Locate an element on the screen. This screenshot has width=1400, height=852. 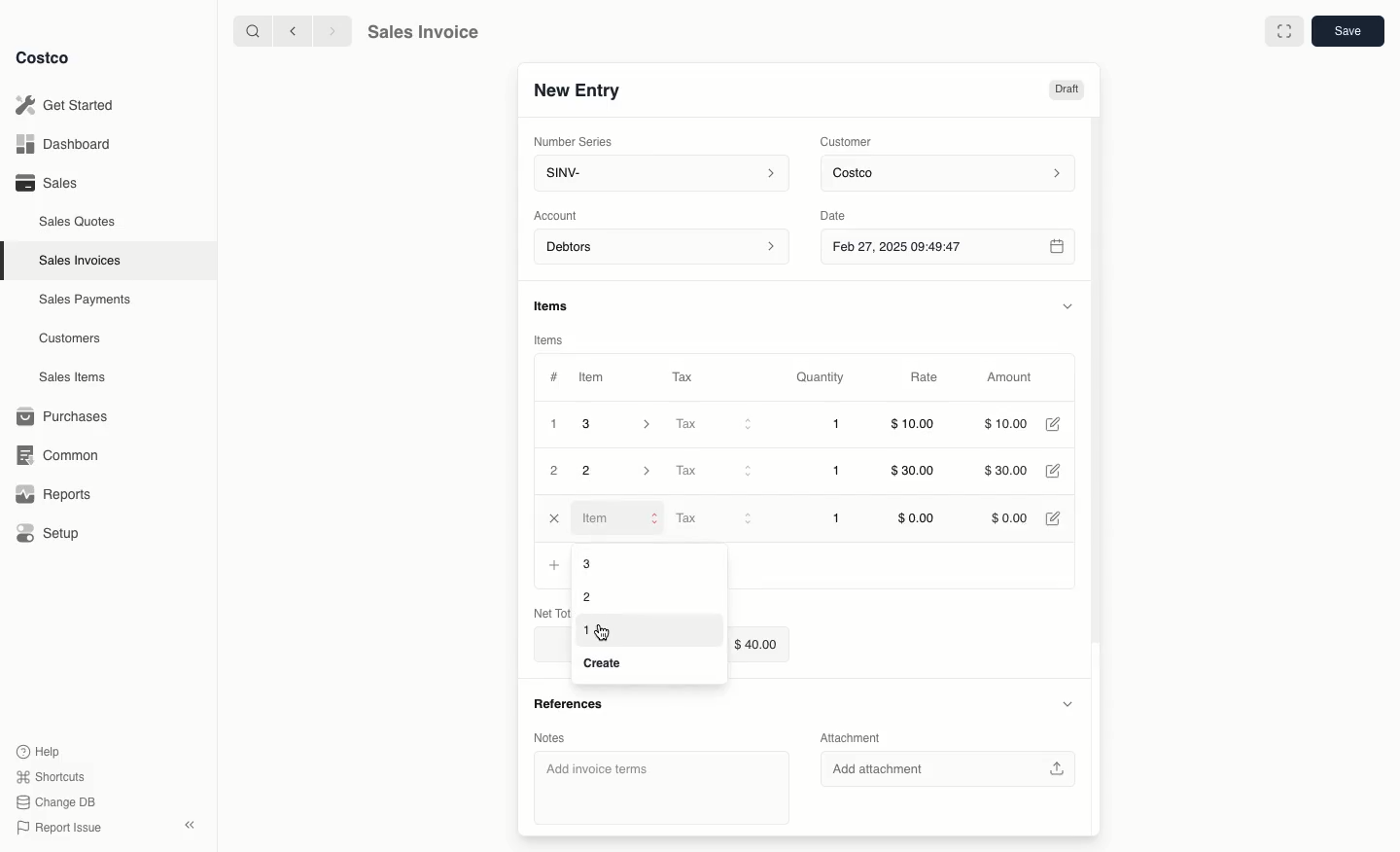
Debtors is located at coordinates (662, 248).